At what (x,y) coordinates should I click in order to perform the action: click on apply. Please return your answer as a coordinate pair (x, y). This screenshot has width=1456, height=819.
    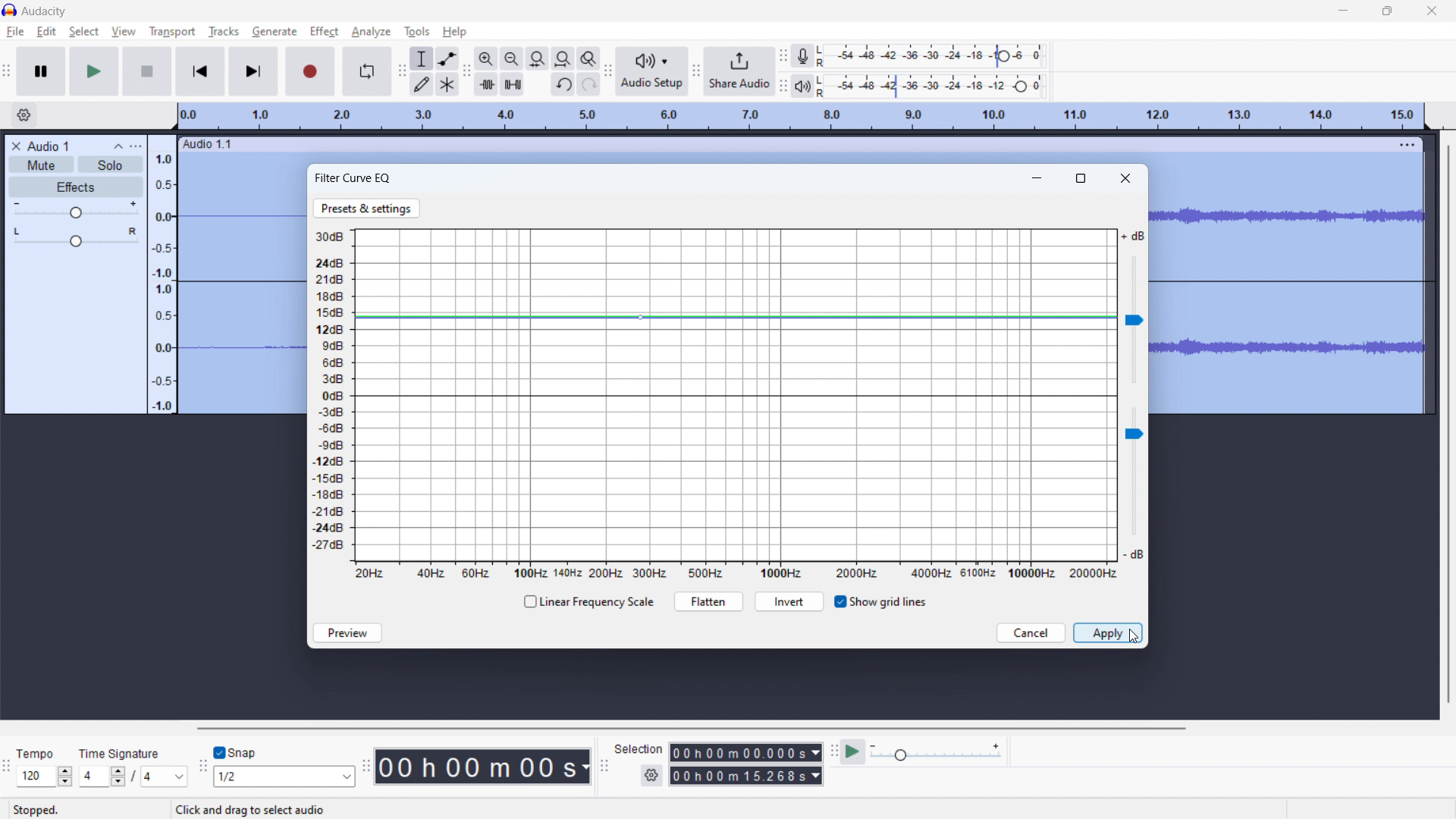
    Looking at the image, I should click on (1107, 632).